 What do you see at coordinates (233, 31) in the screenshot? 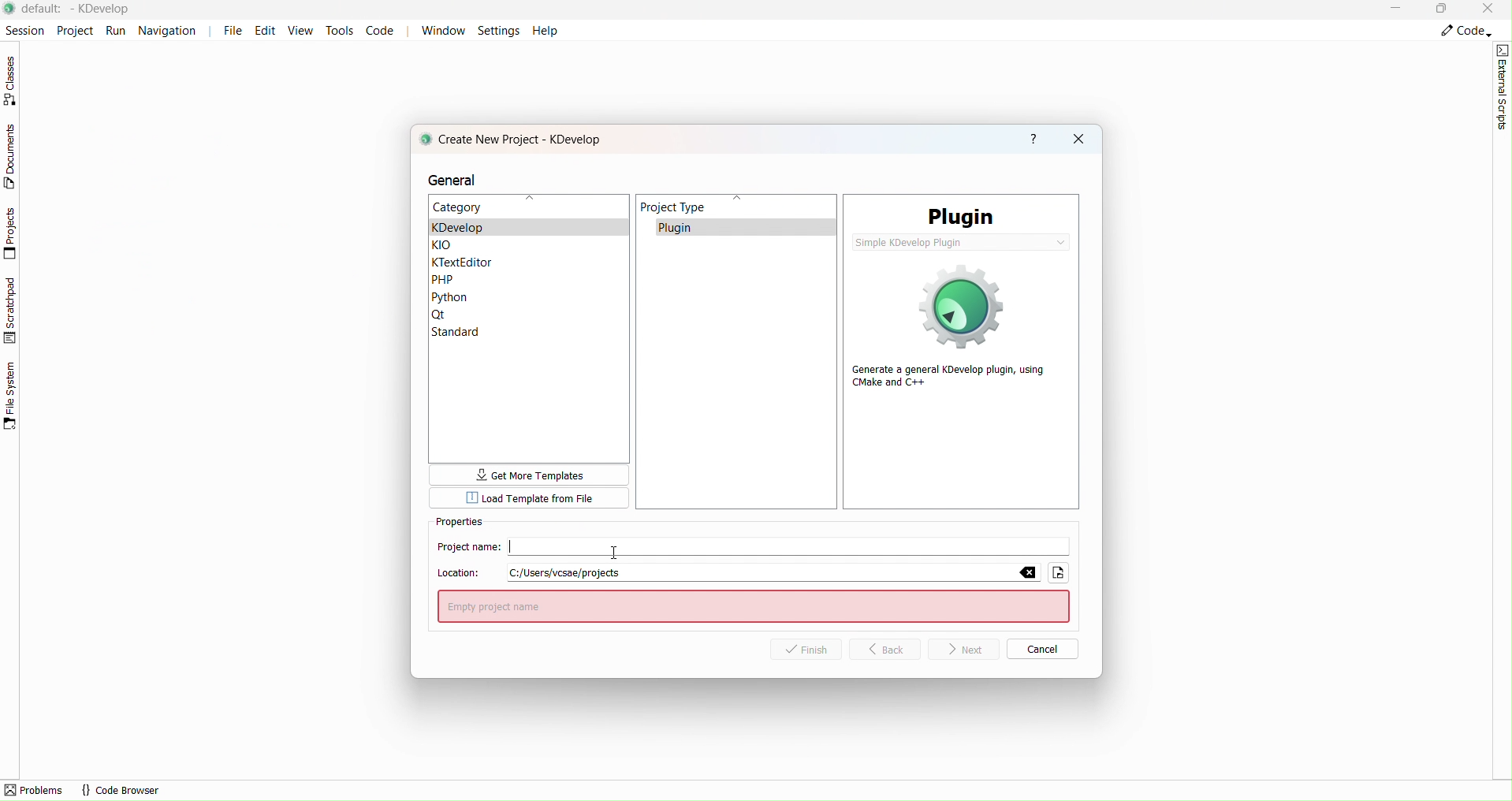
I see `File` at bounding box center [233, 31].